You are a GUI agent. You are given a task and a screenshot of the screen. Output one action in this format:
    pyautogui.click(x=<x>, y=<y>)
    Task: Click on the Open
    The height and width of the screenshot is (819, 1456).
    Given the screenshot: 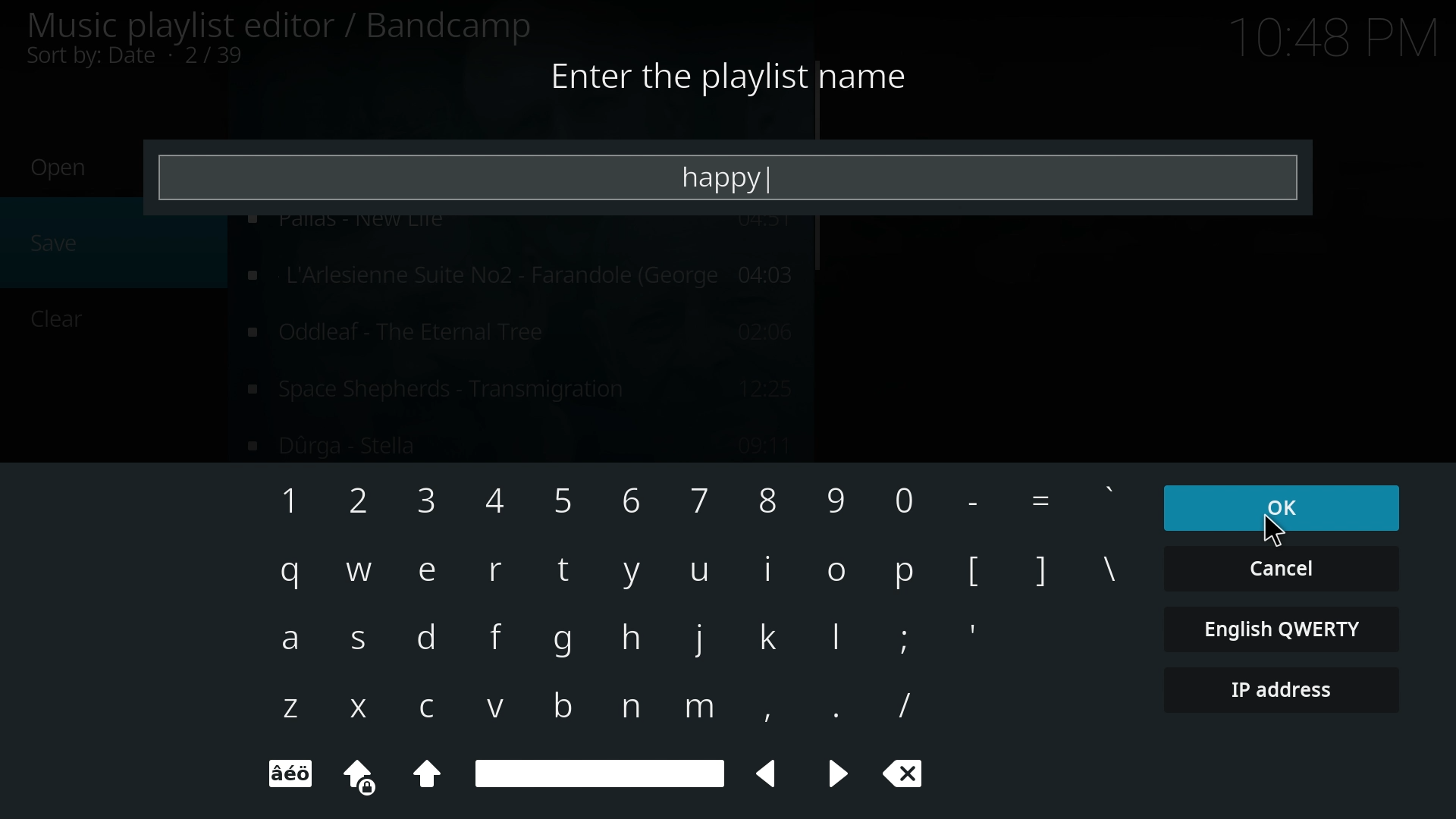 What is the action you would take?
    pyautogui.click(x=70, y=168)
    